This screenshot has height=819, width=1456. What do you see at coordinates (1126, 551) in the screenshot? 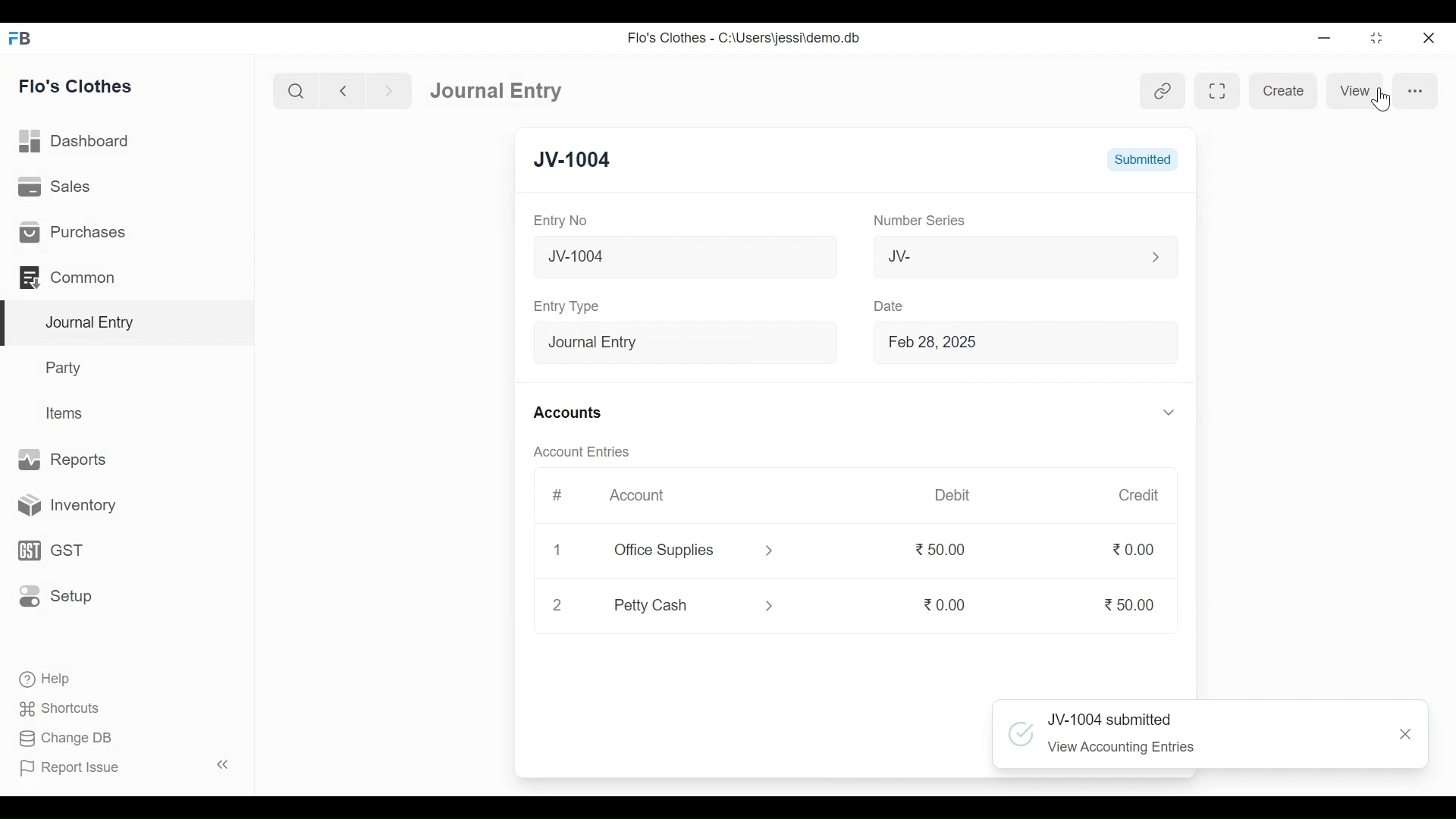
I see `0.00` at bounding box center [1126, 551].